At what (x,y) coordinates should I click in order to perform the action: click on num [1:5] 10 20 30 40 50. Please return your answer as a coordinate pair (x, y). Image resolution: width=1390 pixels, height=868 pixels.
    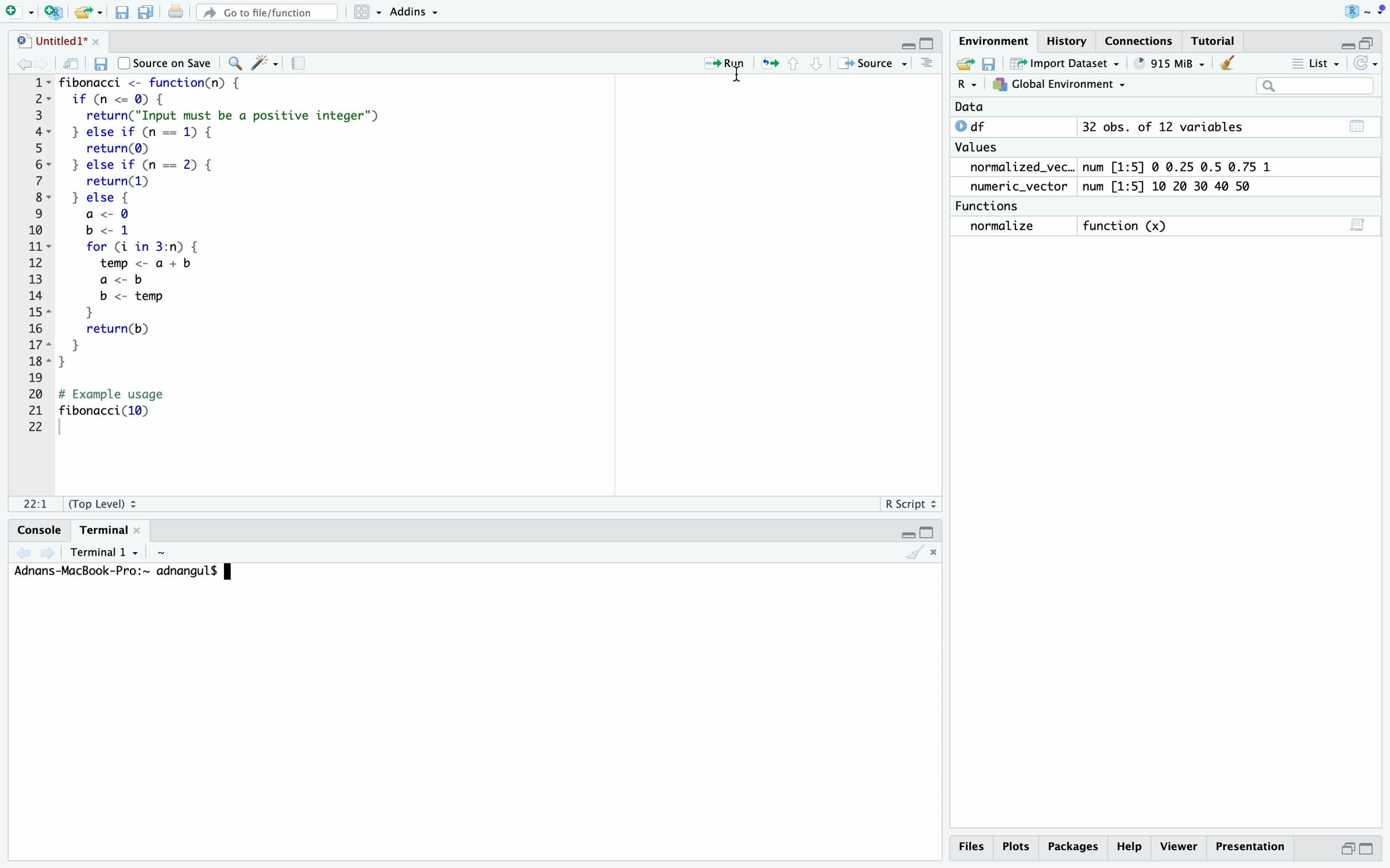
    Looking at the image, I should click on (1175, 186).